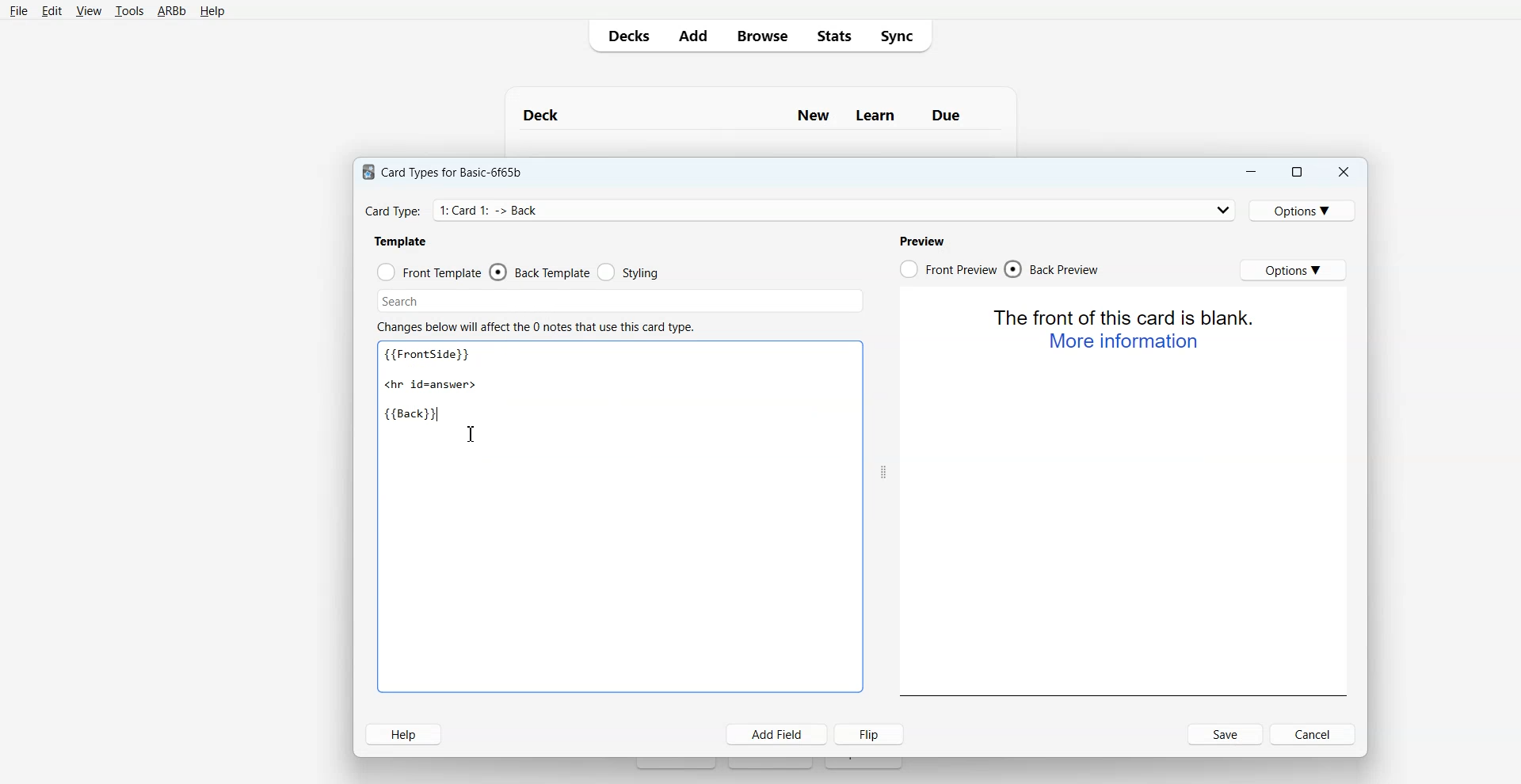  What do you see at coordinates (1054, 269) in the screenshot?
I see `Back Preview` at bounding box center [1054, 269].